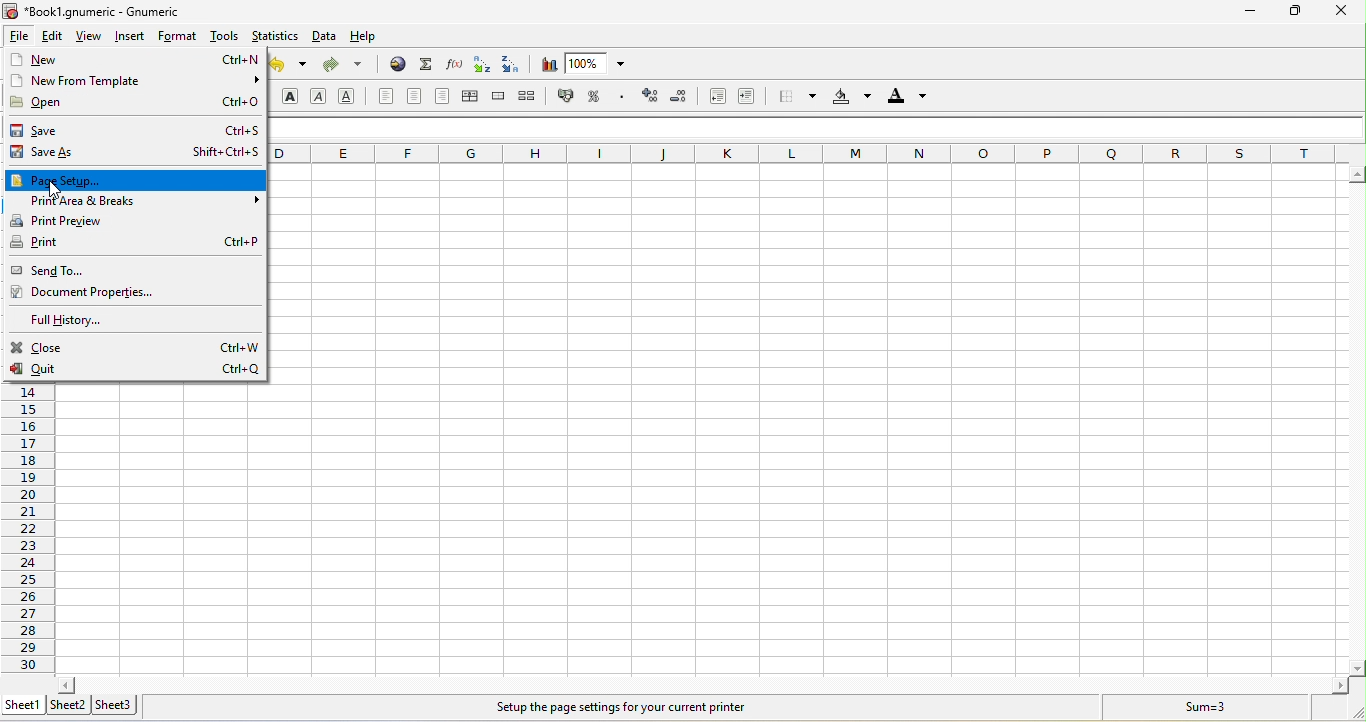 The image size is (1366, 722). I want to click on set the format of the selected cells, so click(624, 100).